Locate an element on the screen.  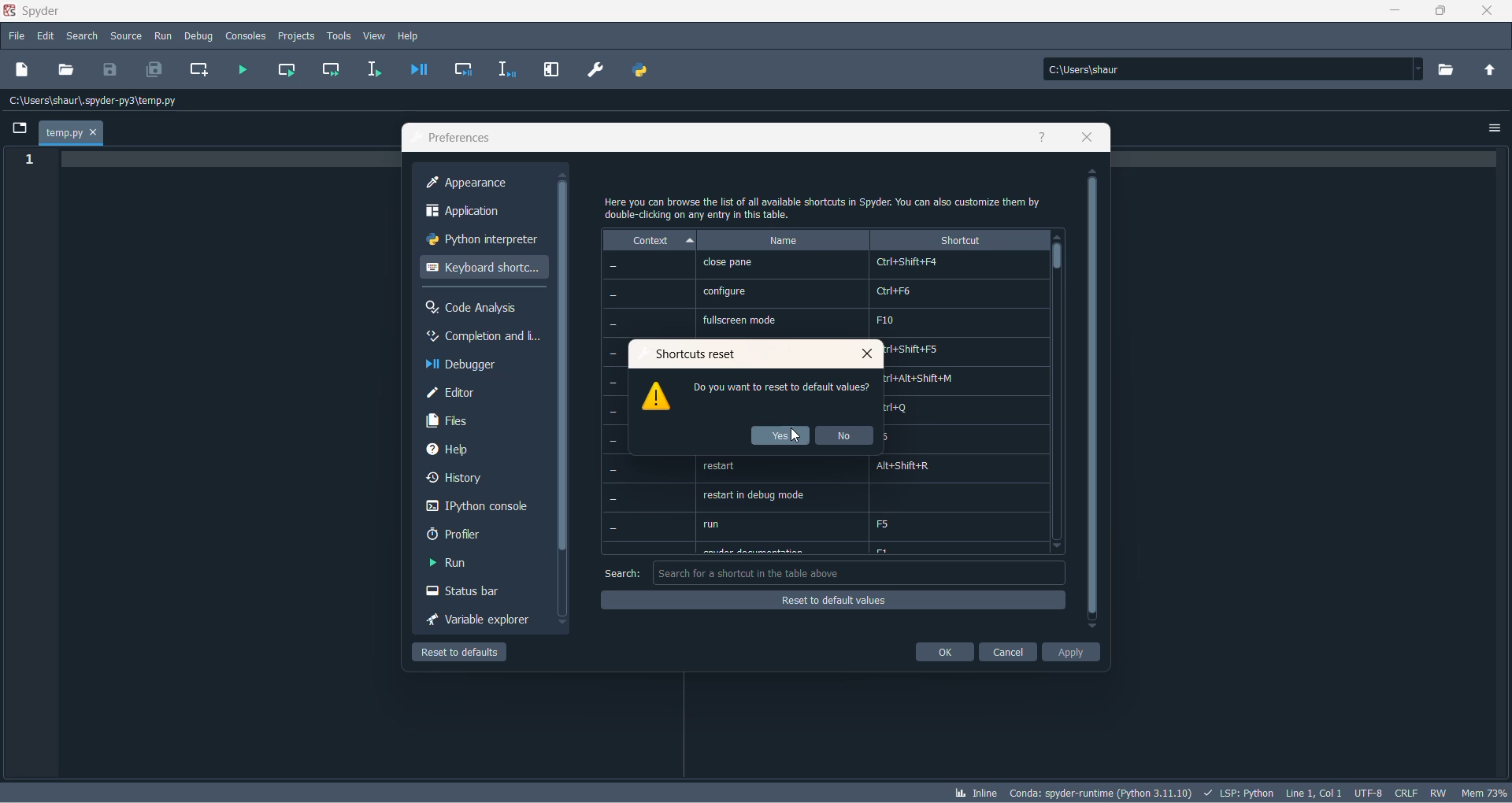
help is located at coordinates (409, 36).